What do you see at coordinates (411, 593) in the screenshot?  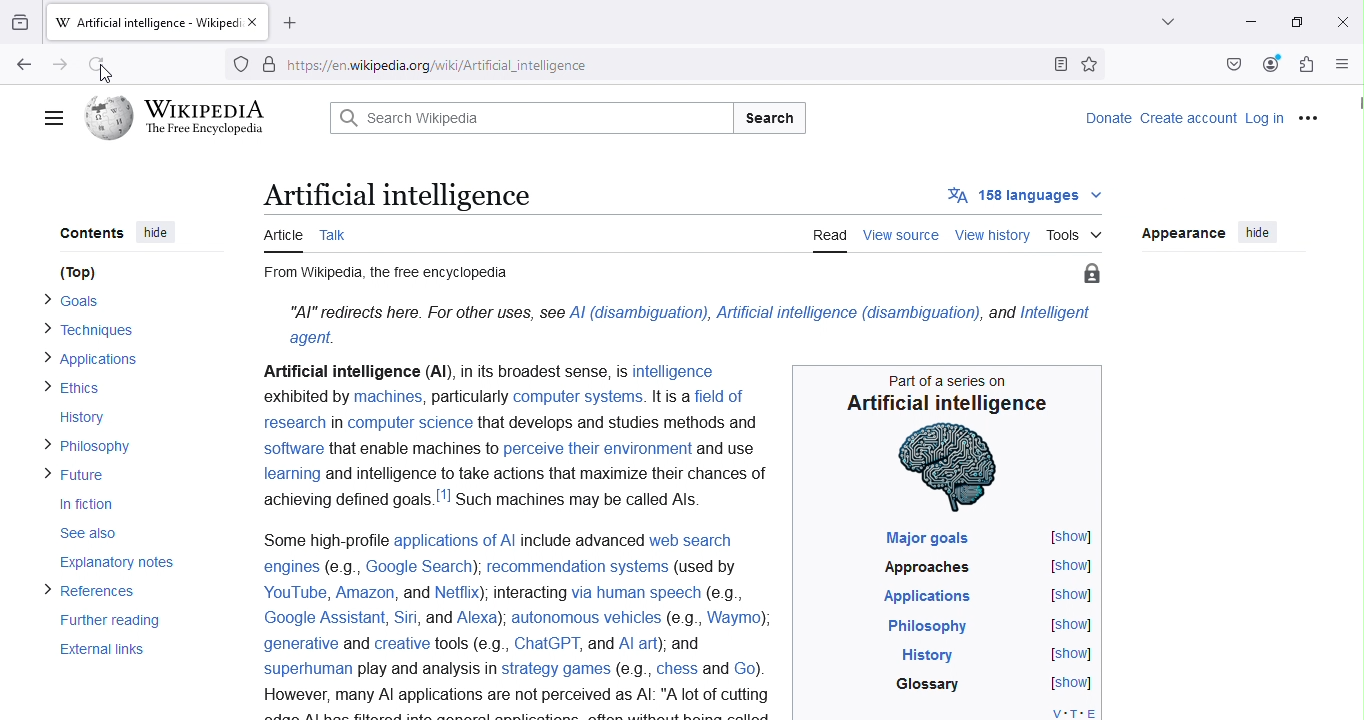 I see `and` at bounding box center [411, 593].